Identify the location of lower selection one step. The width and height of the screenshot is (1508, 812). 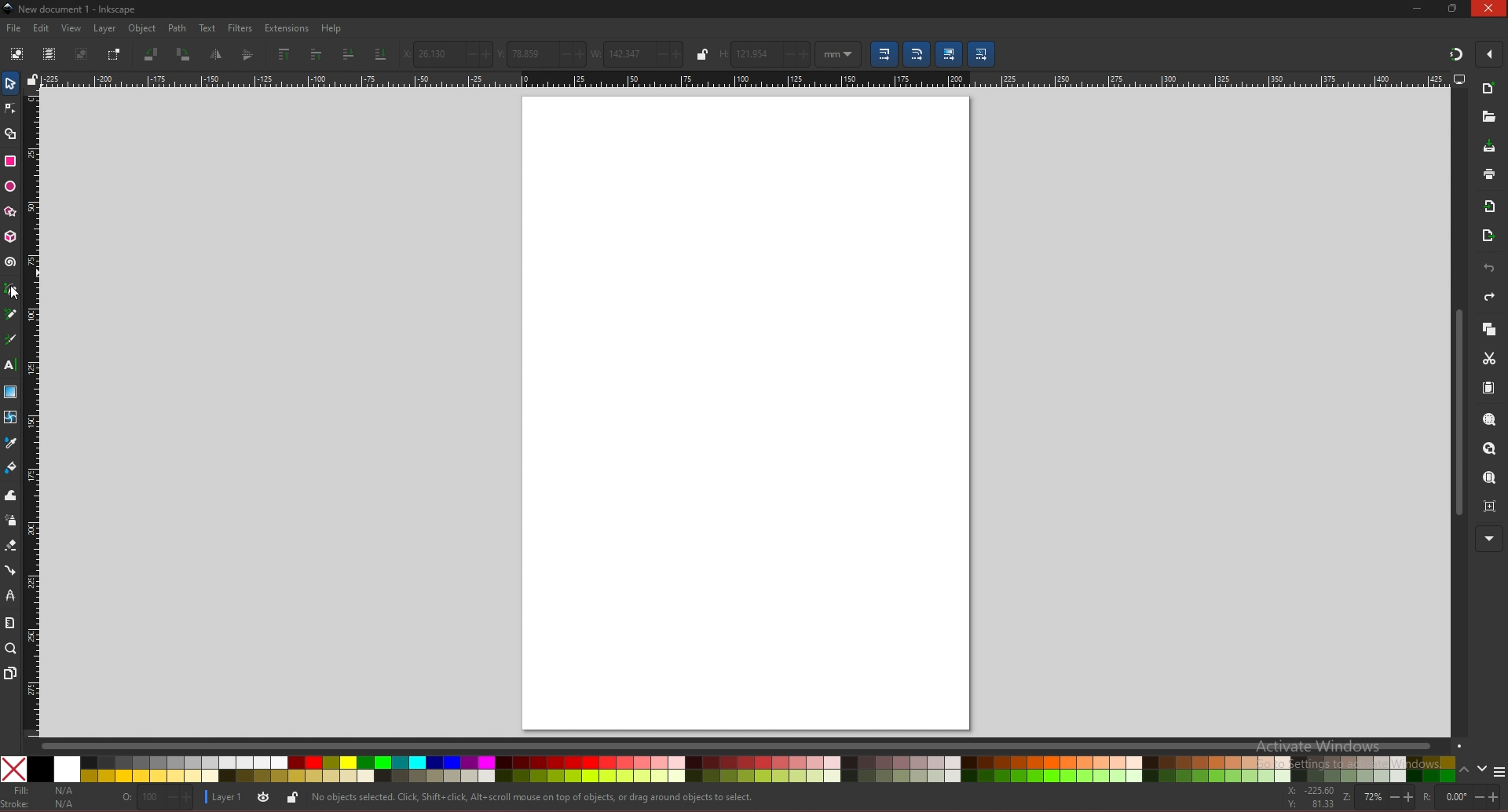
(350, 54).